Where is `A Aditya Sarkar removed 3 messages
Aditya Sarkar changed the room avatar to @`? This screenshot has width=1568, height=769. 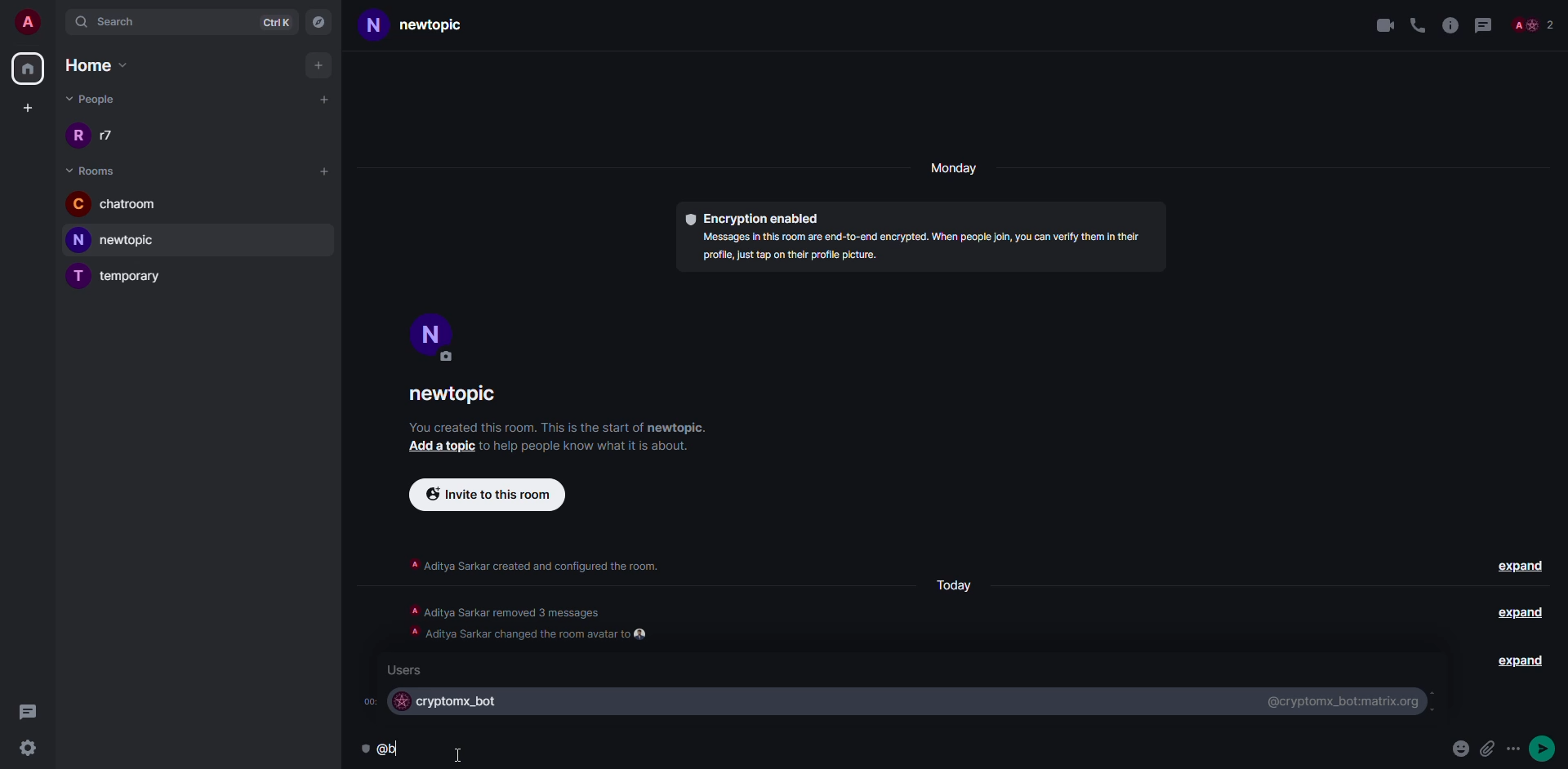 A Aditya Sarkar removed 3 messages
Aditya Sarkar changed the room avatar to @ is located at coordinates (532, 620).